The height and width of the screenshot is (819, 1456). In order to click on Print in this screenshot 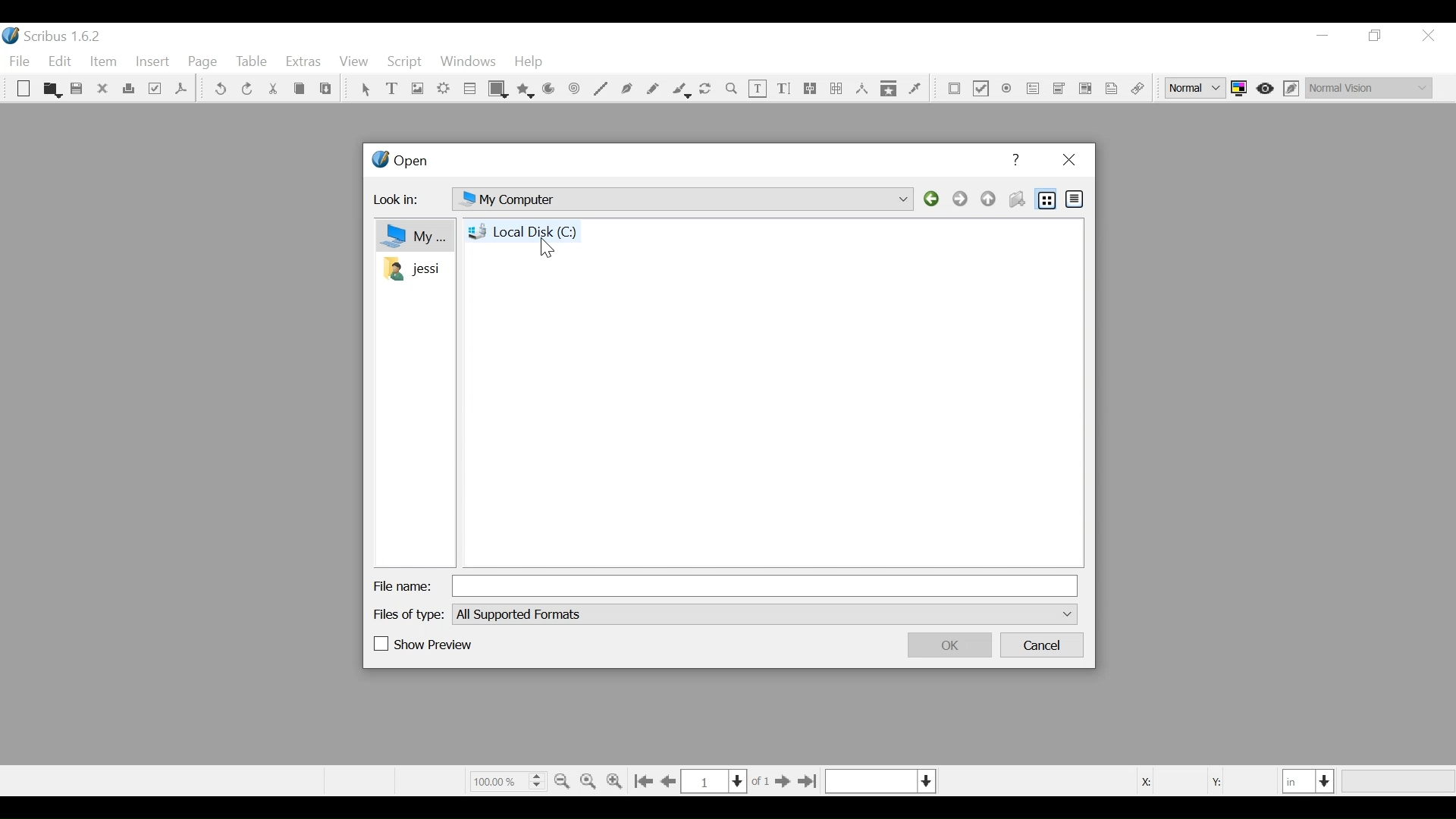, I will do `click(129, 89)`.